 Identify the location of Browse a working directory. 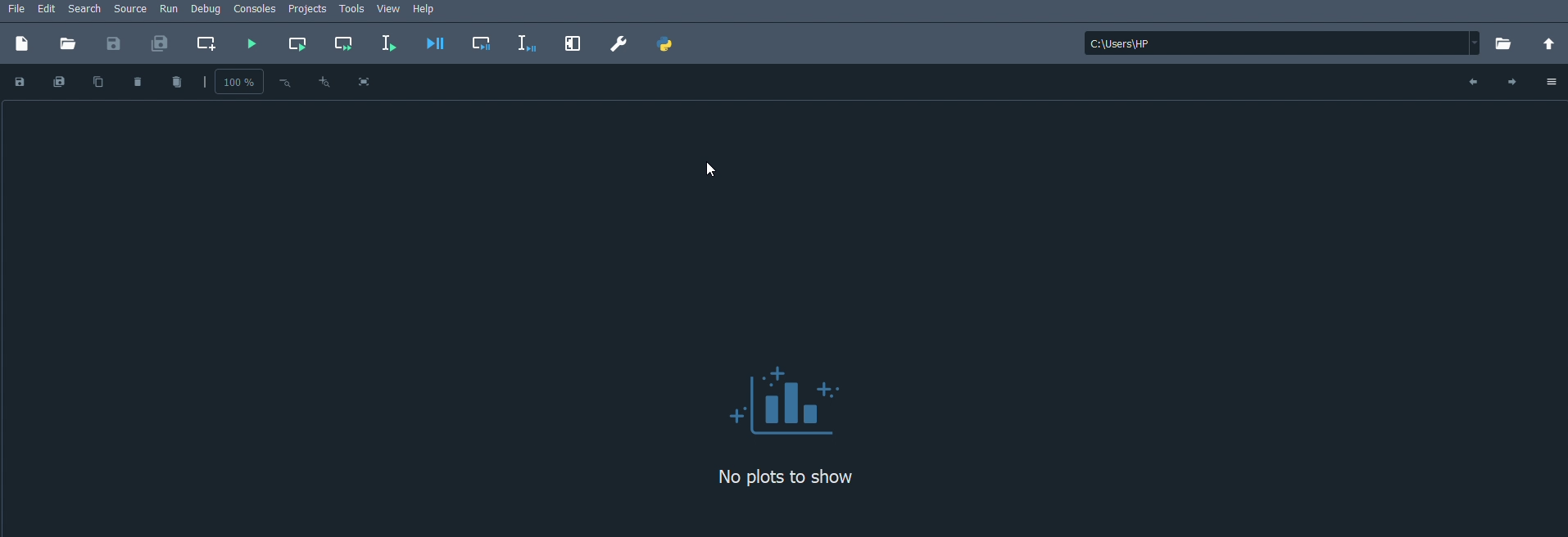
(1506, 44).